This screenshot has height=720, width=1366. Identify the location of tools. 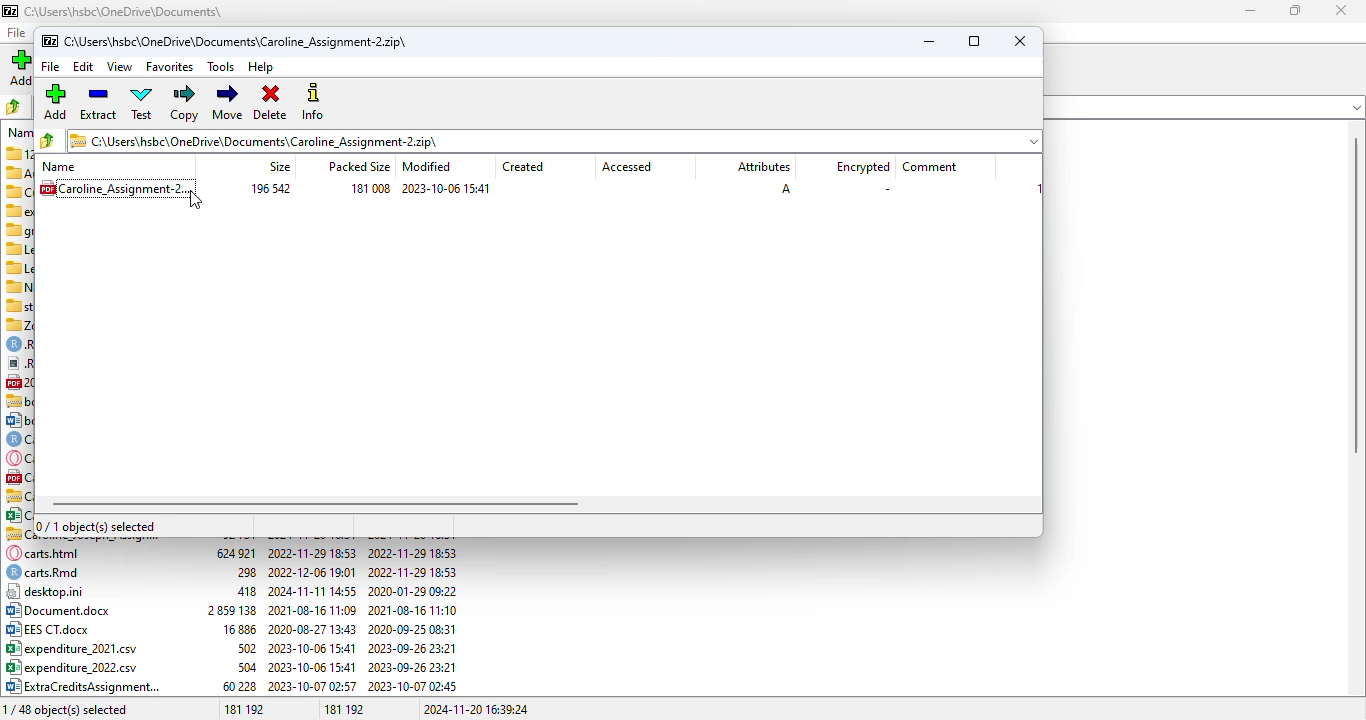
(220, 66).